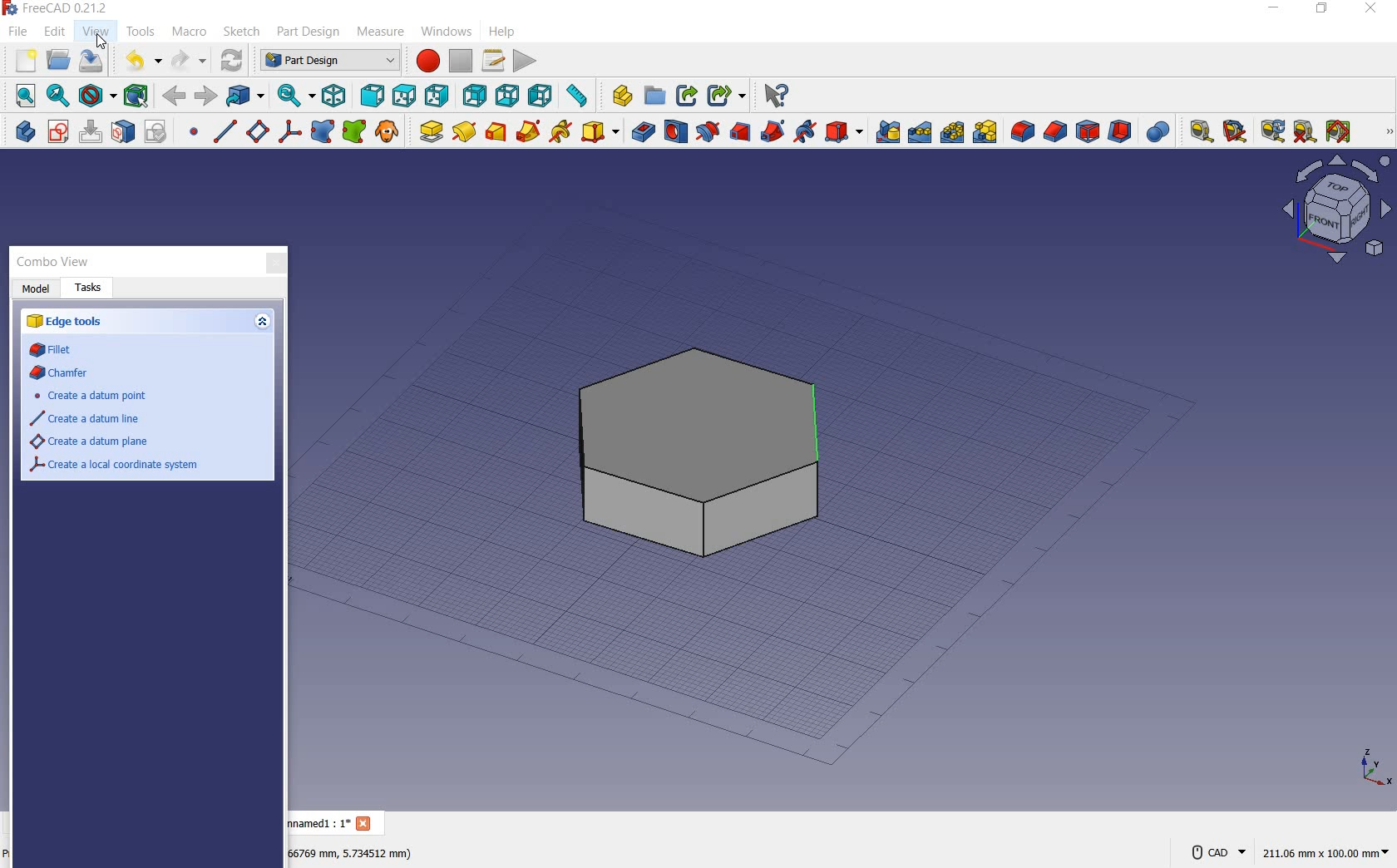  Describe the element at coordinates (684, 96) in the screenshot. I see `make link` at that location.